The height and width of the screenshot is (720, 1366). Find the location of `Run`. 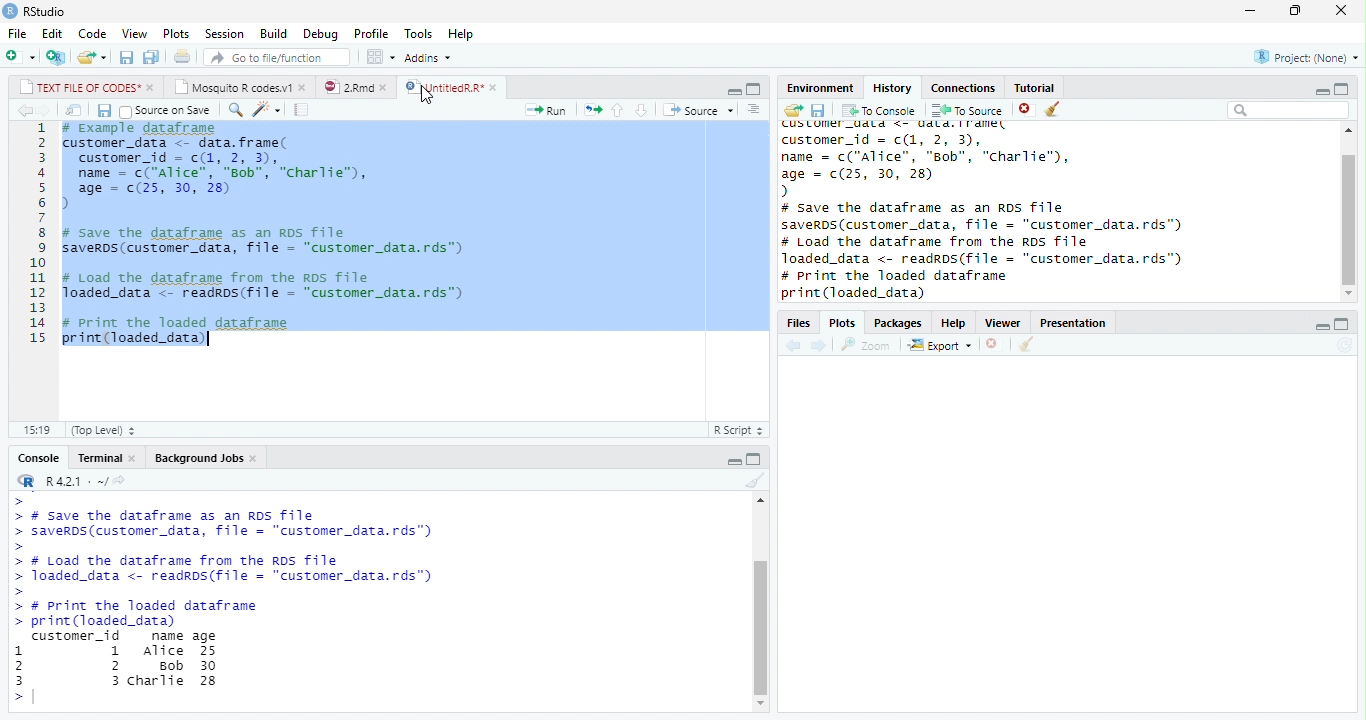

Run is located at coordinates (545, 110).